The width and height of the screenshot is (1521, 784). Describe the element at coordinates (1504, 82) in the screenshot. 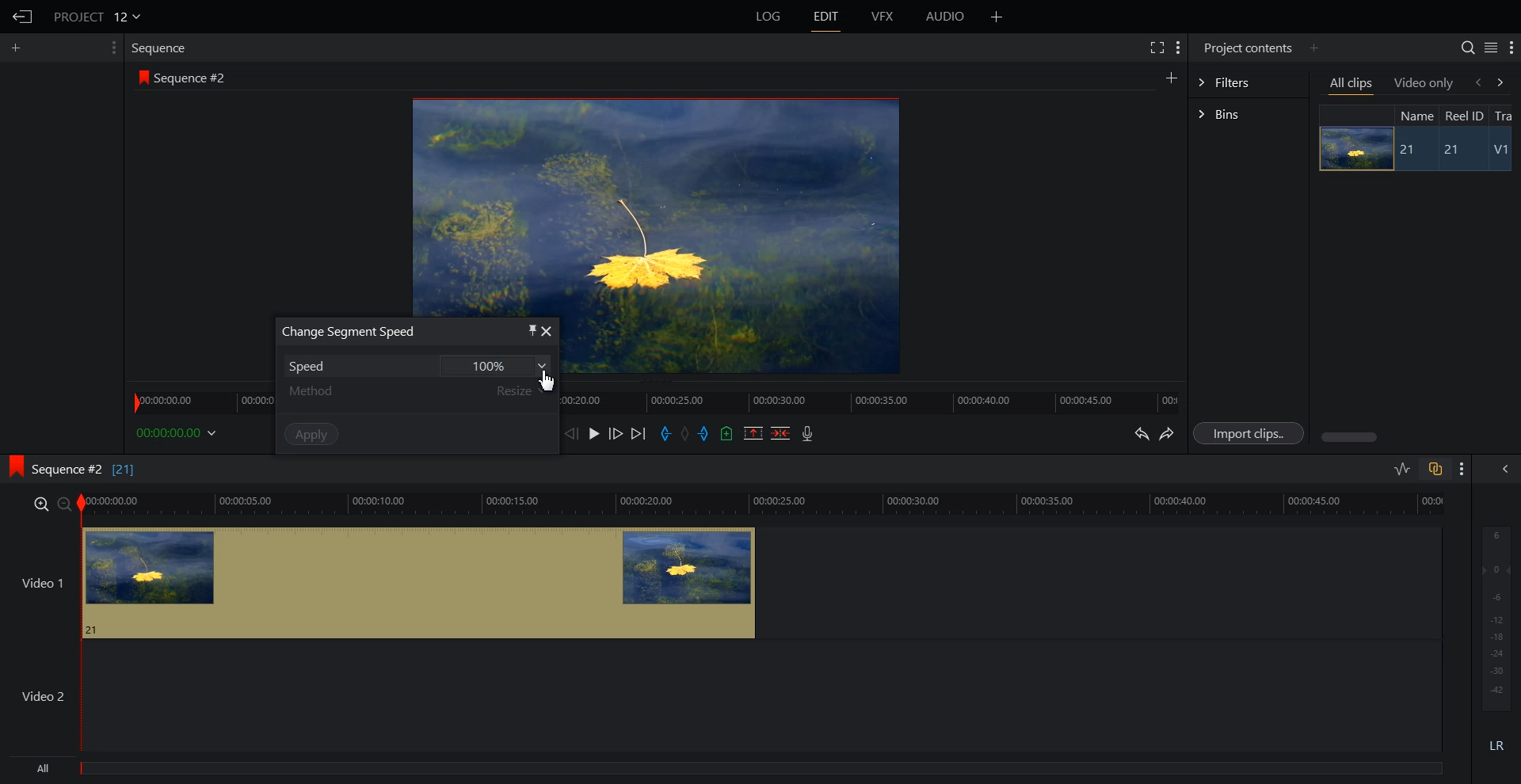

I see `forward` at that location.